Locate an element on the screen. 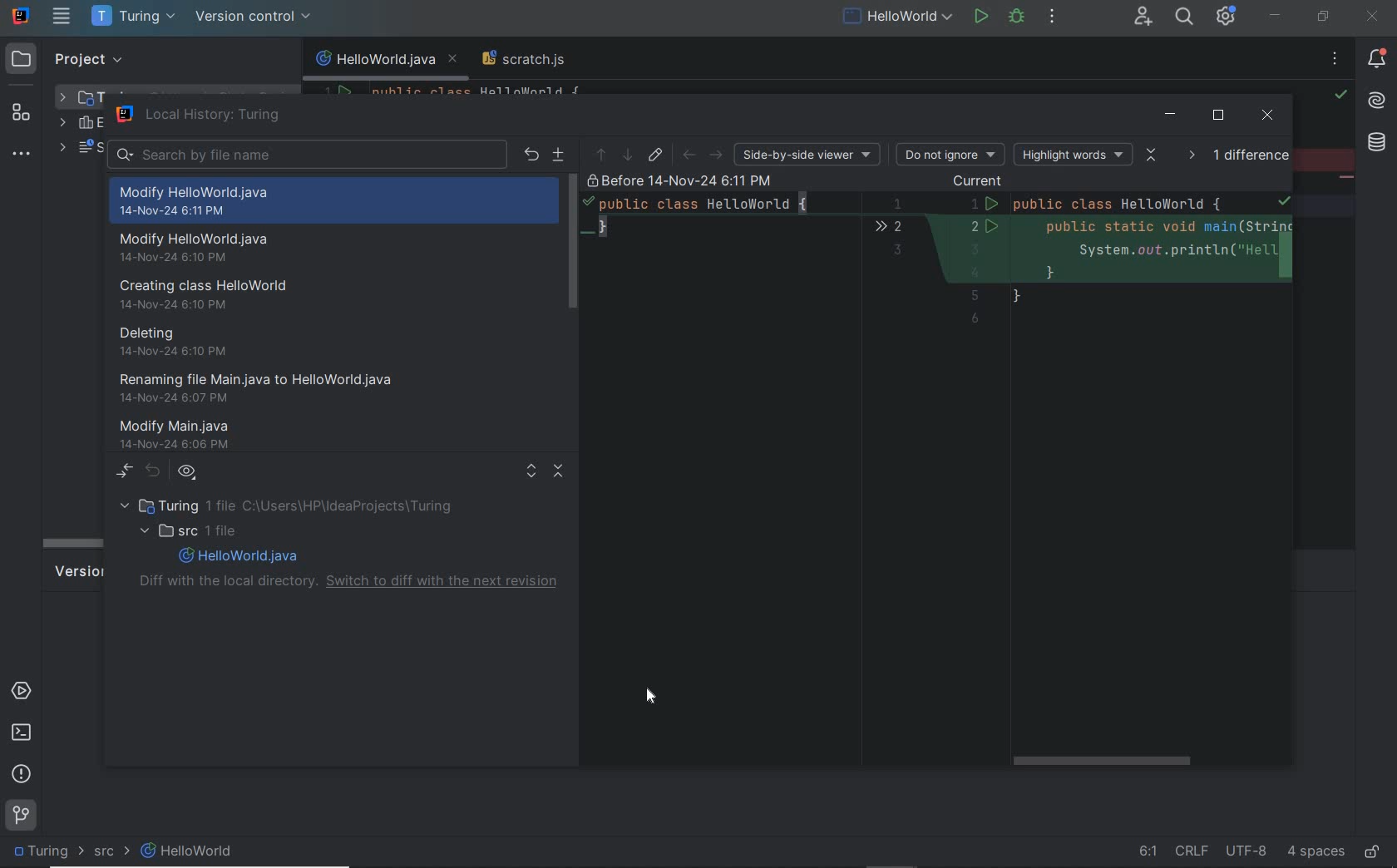 Image resolution: width=1397 pixels, height=868 pixels. more actions is located at coordinates (1051, 19).